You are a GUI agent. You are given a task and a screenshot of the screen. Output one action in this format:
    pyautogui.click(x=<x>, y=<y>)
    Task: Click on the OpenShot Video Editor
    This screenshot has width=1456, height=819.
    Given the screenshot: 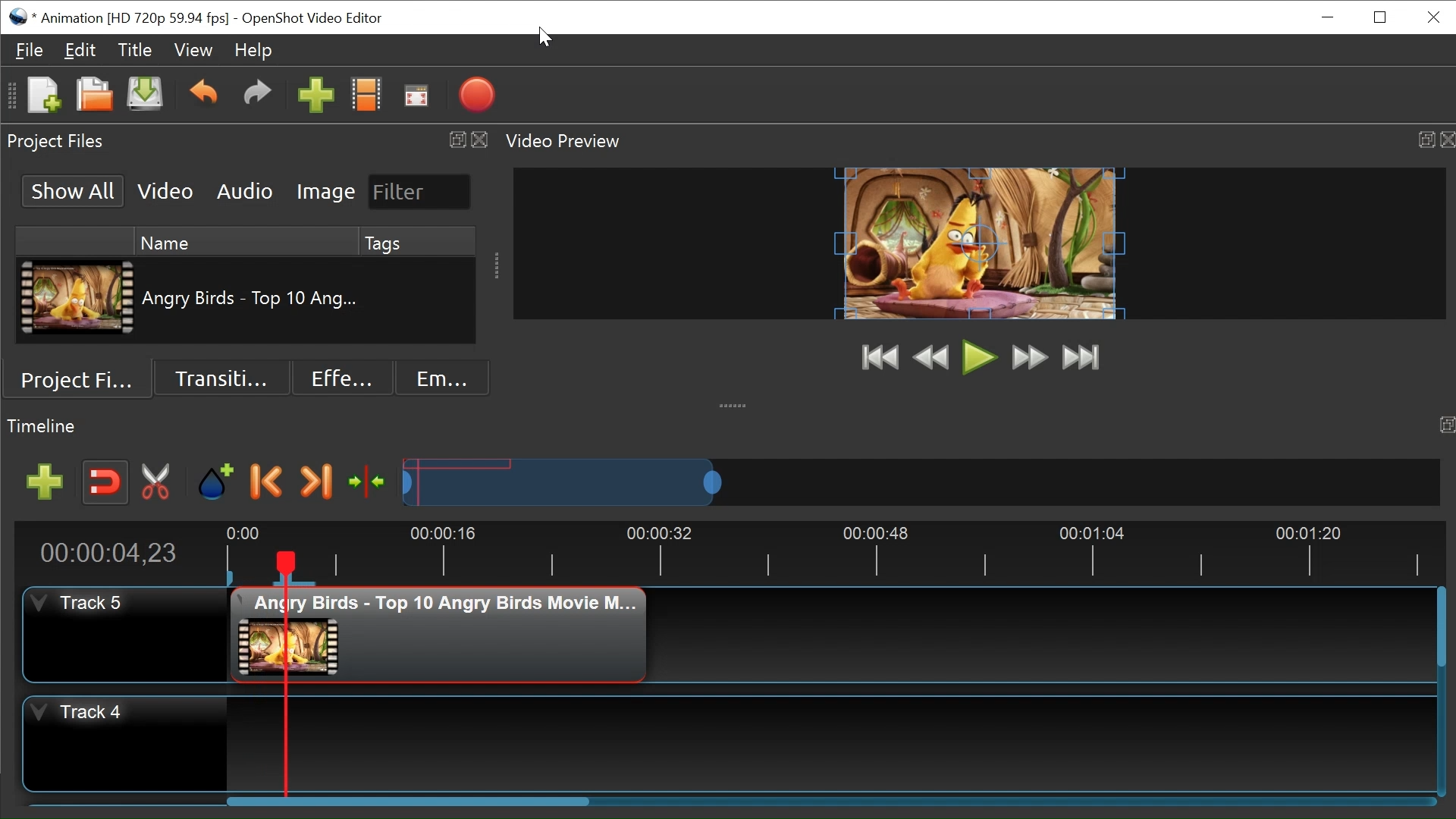 What is the action you would take?
    pyautogui.click(x=306, y=19)
    